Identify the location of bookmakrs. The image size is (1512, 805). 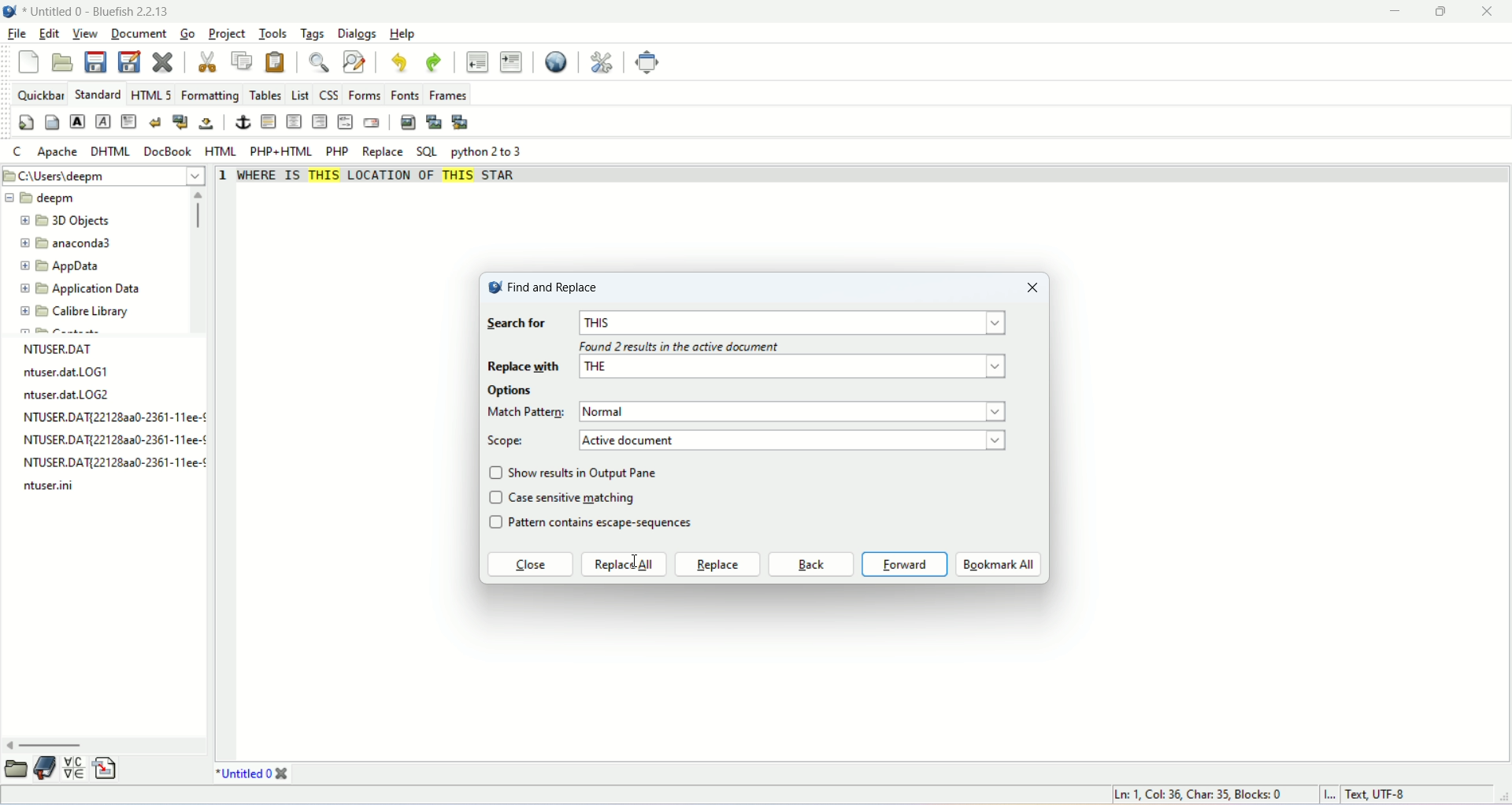
(46, 768).